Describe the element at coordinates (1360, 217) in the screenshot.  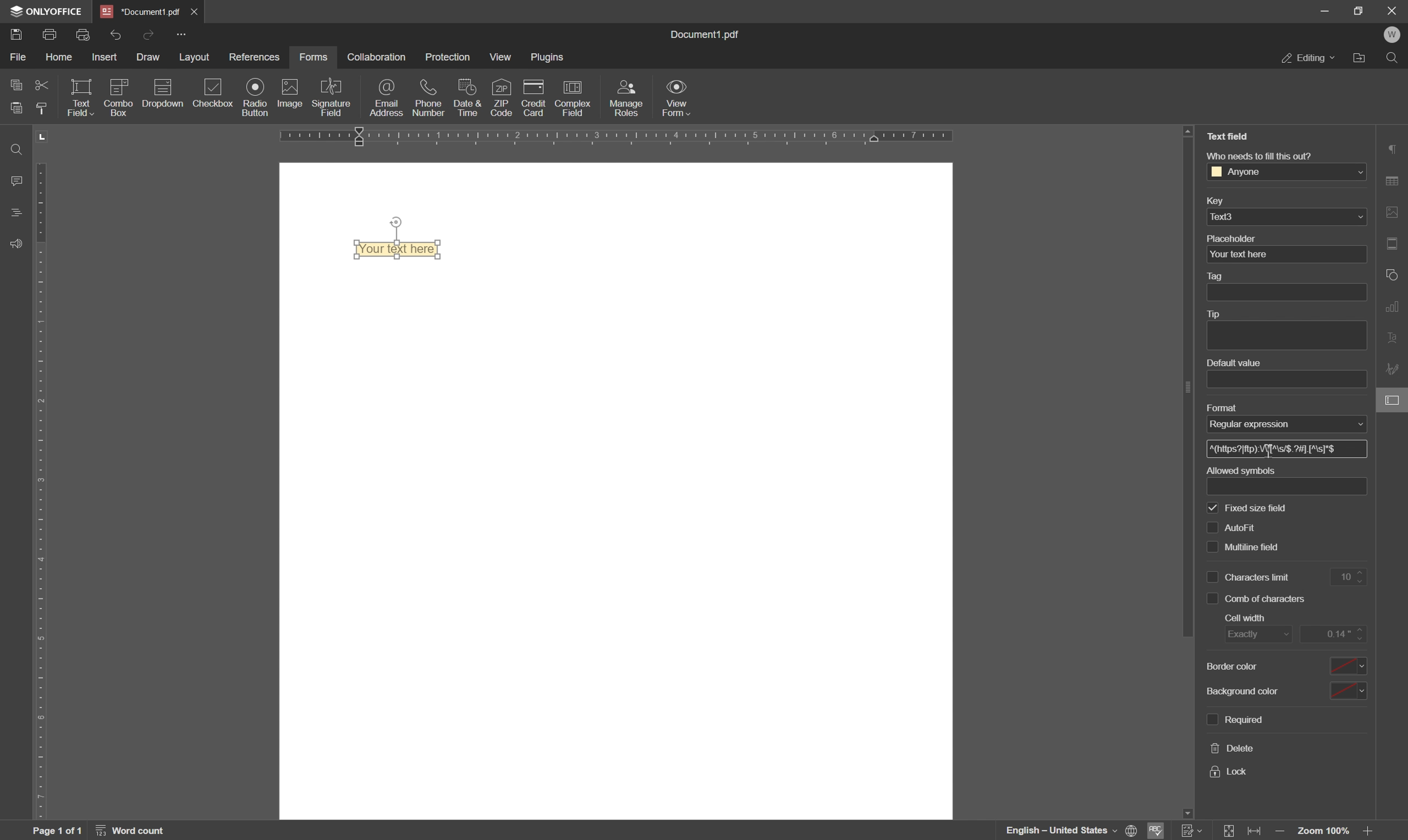
I see `drop down` at that location.